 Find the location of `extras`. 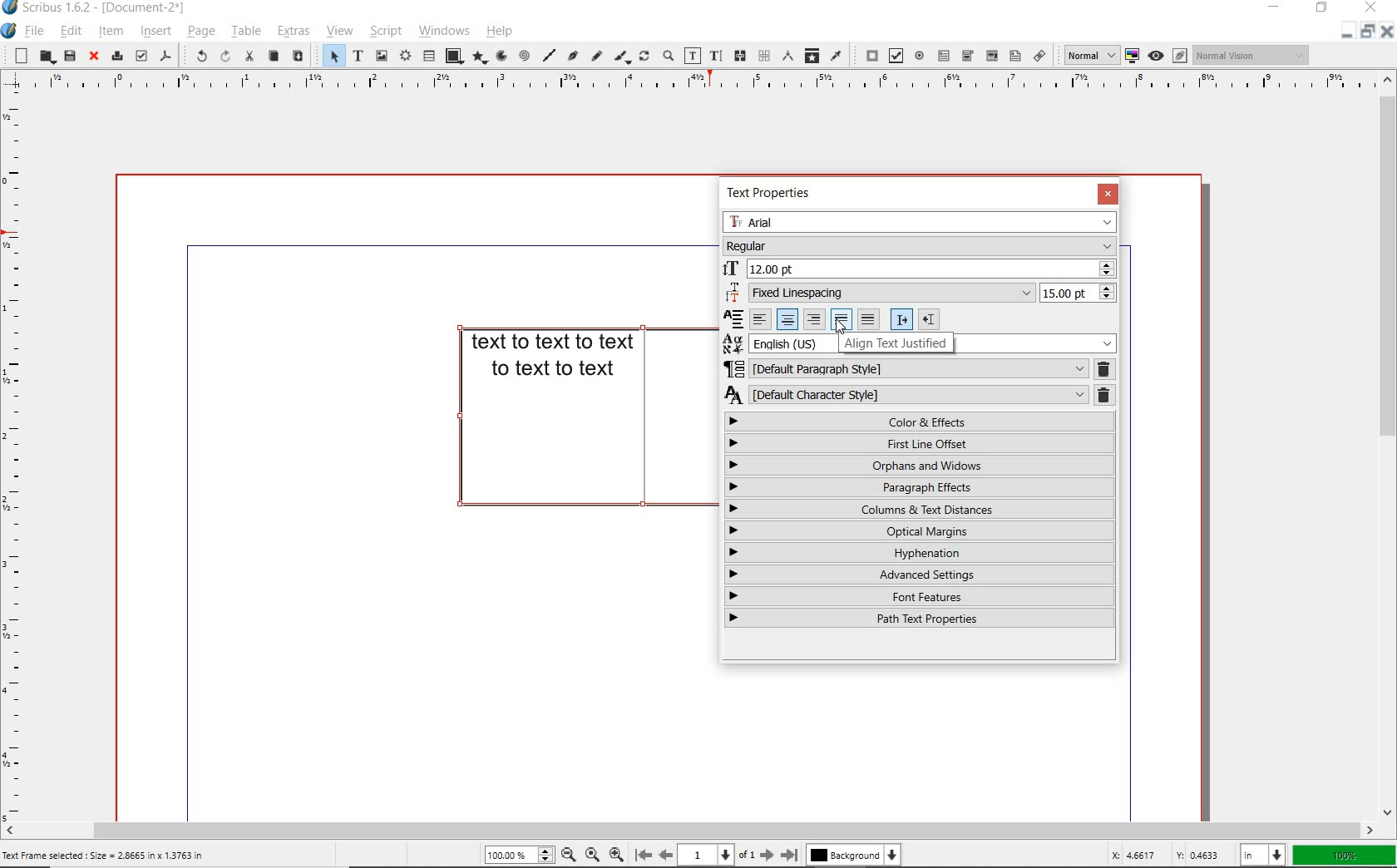

extras is located at coordinates (294, 32).